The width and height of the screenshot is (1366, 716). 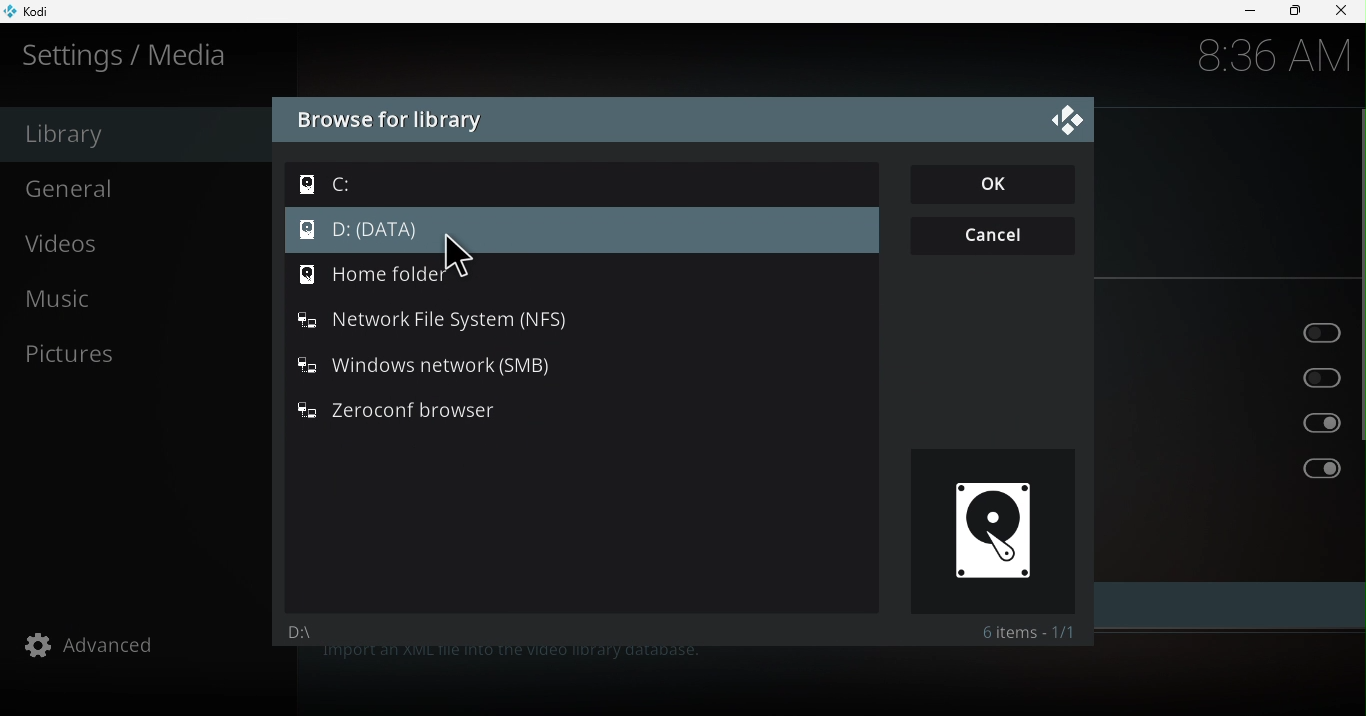 What do you see at coordinates (740, 658) in the screenshot?
I see `This category provides access to the windows for source management and library management` at bounding box center [740, 658].